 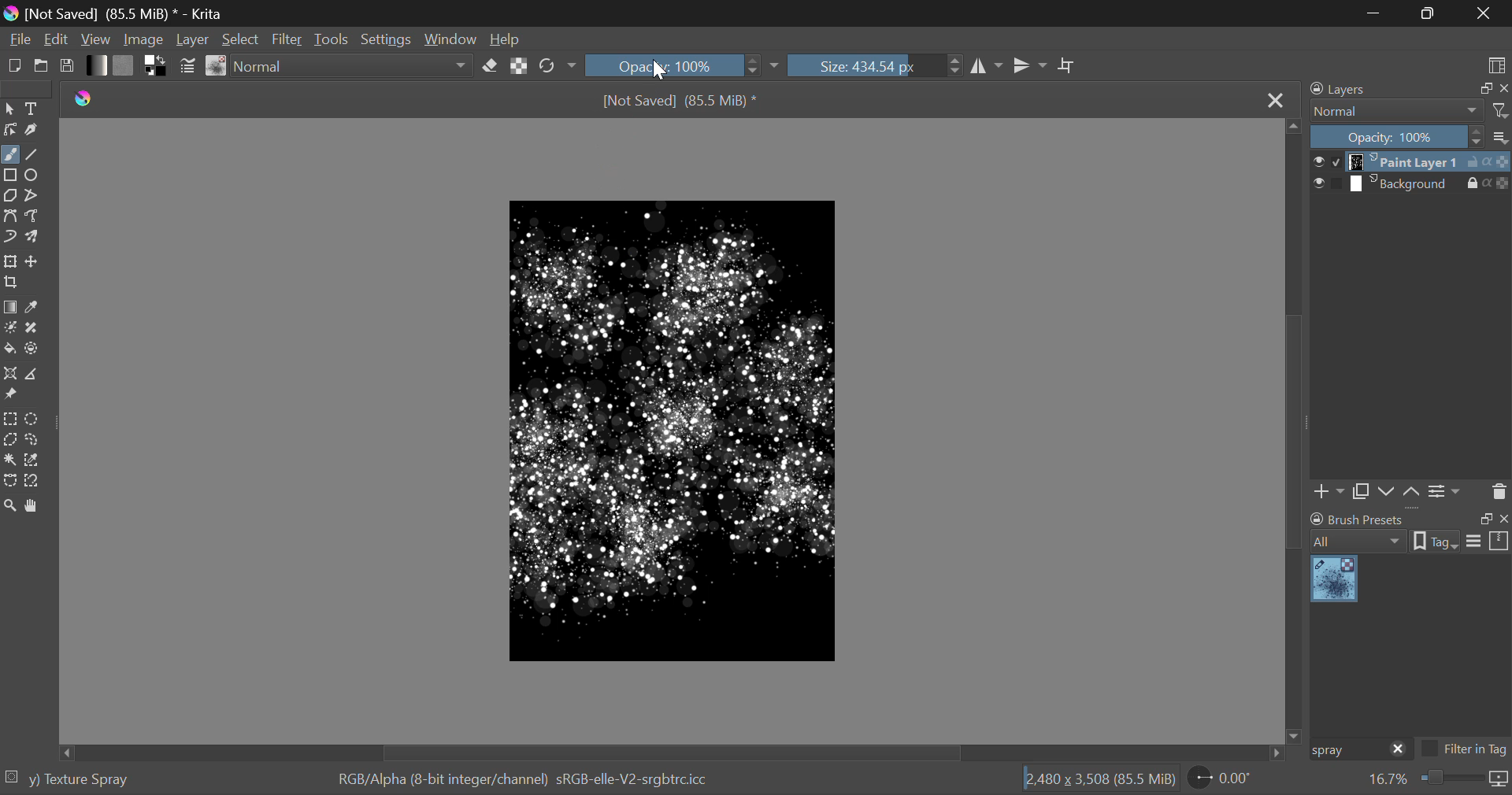 What do you see at coordinates (506, 36) in the screenshot?
I see `Help` at bounding box center [506, 36].